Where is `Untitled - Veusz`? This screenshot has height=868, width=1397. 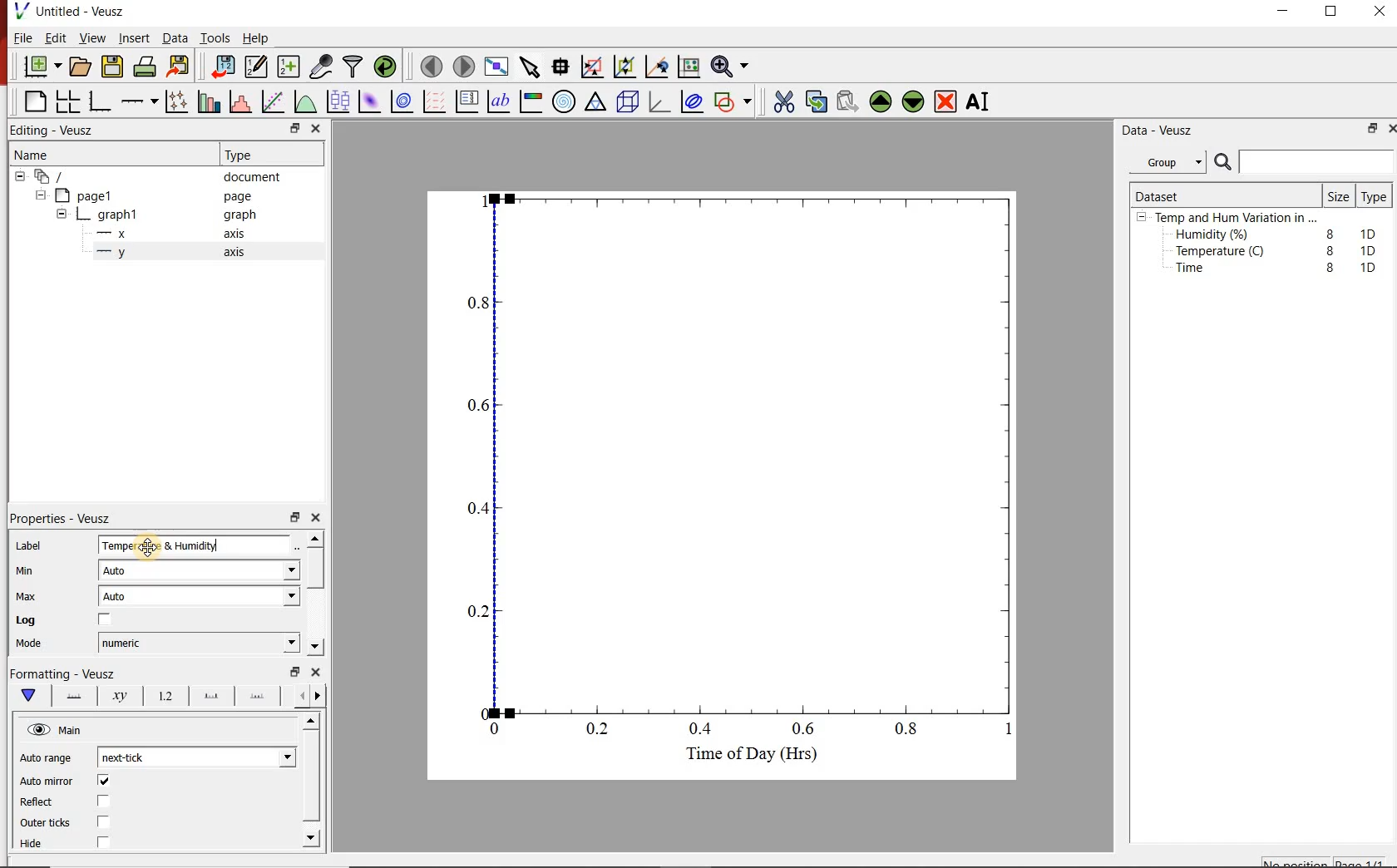
Untitled - Veusz is located at coordinates (74, 11).